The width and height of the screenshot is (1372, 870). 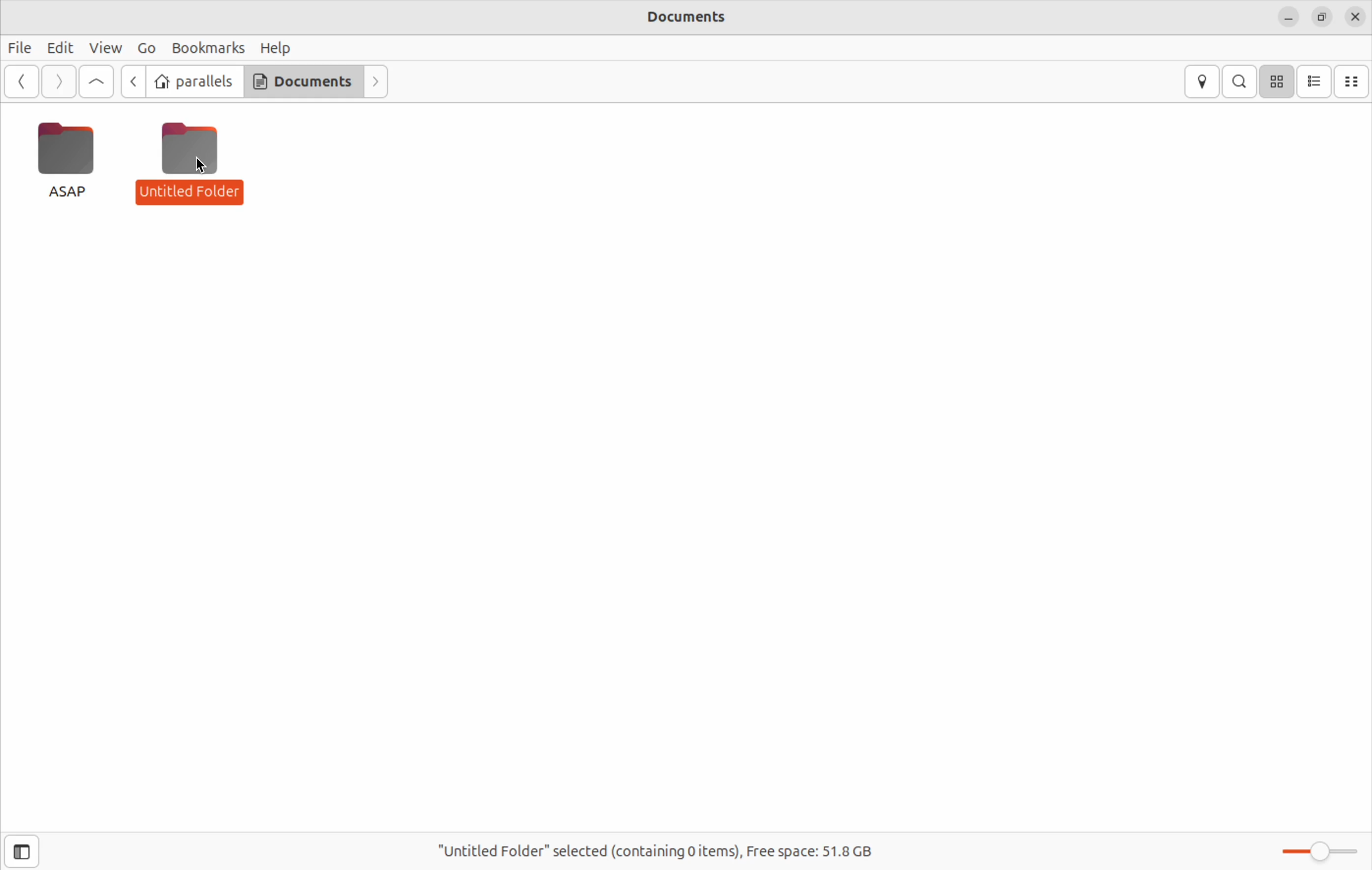 What do you see at coordinates (64, 159) in the screenshot?
I see `ASAP` at bounding box center [64, 159].